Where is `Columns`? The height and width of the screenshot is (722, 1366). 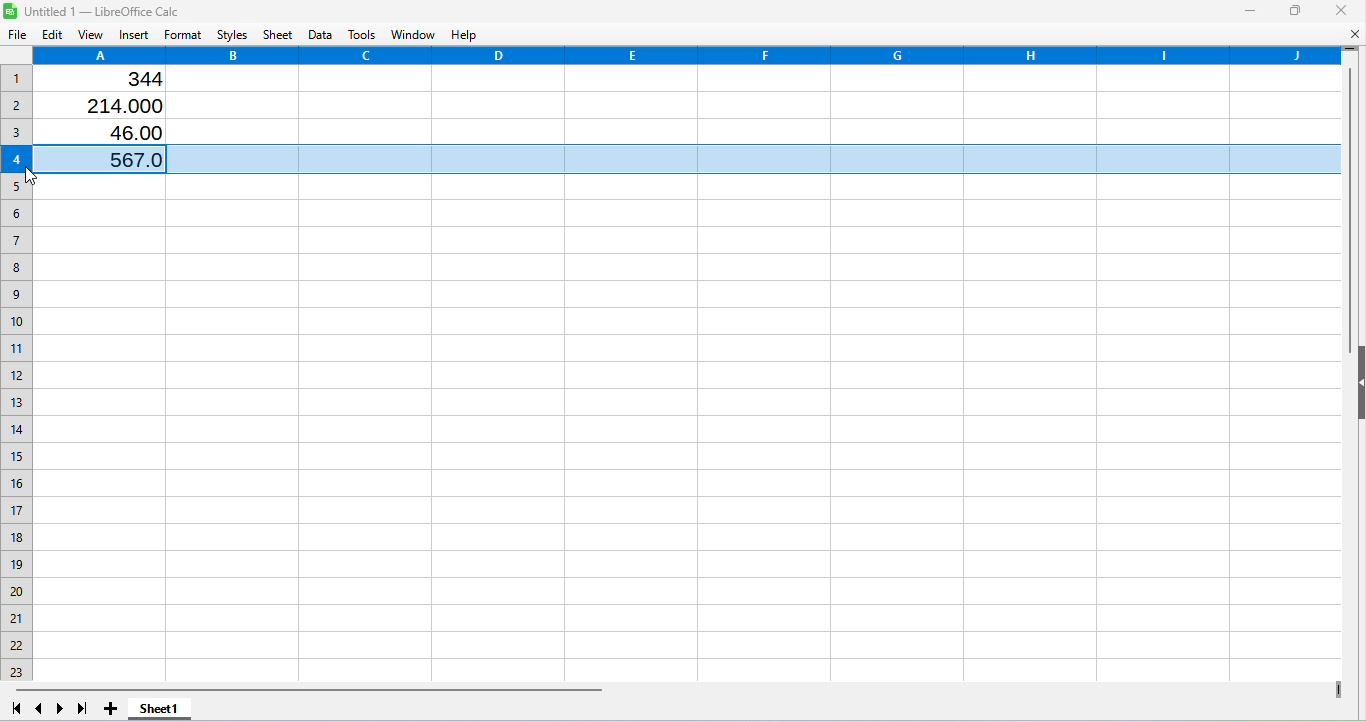 Columns is located at coordinates (688, 55).